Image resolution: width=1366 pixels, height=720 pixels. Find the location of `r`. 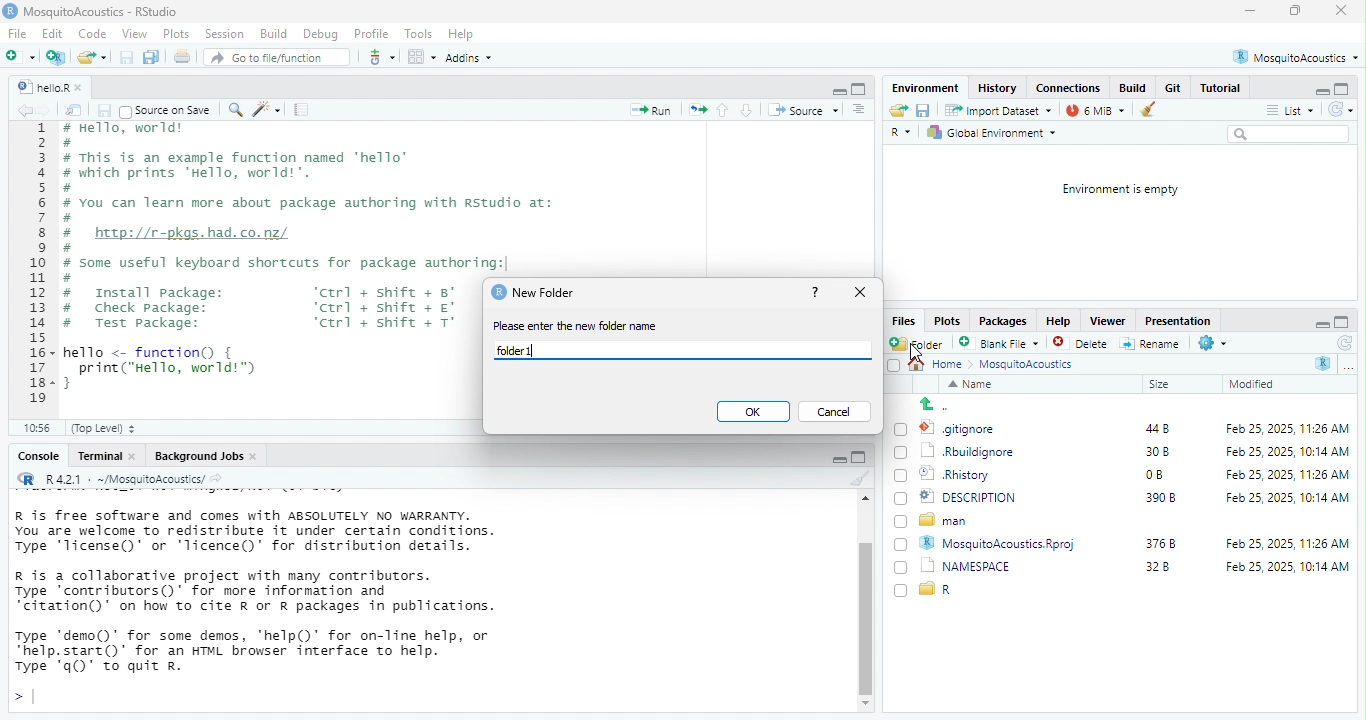

r is located at coordinates (946, 590).